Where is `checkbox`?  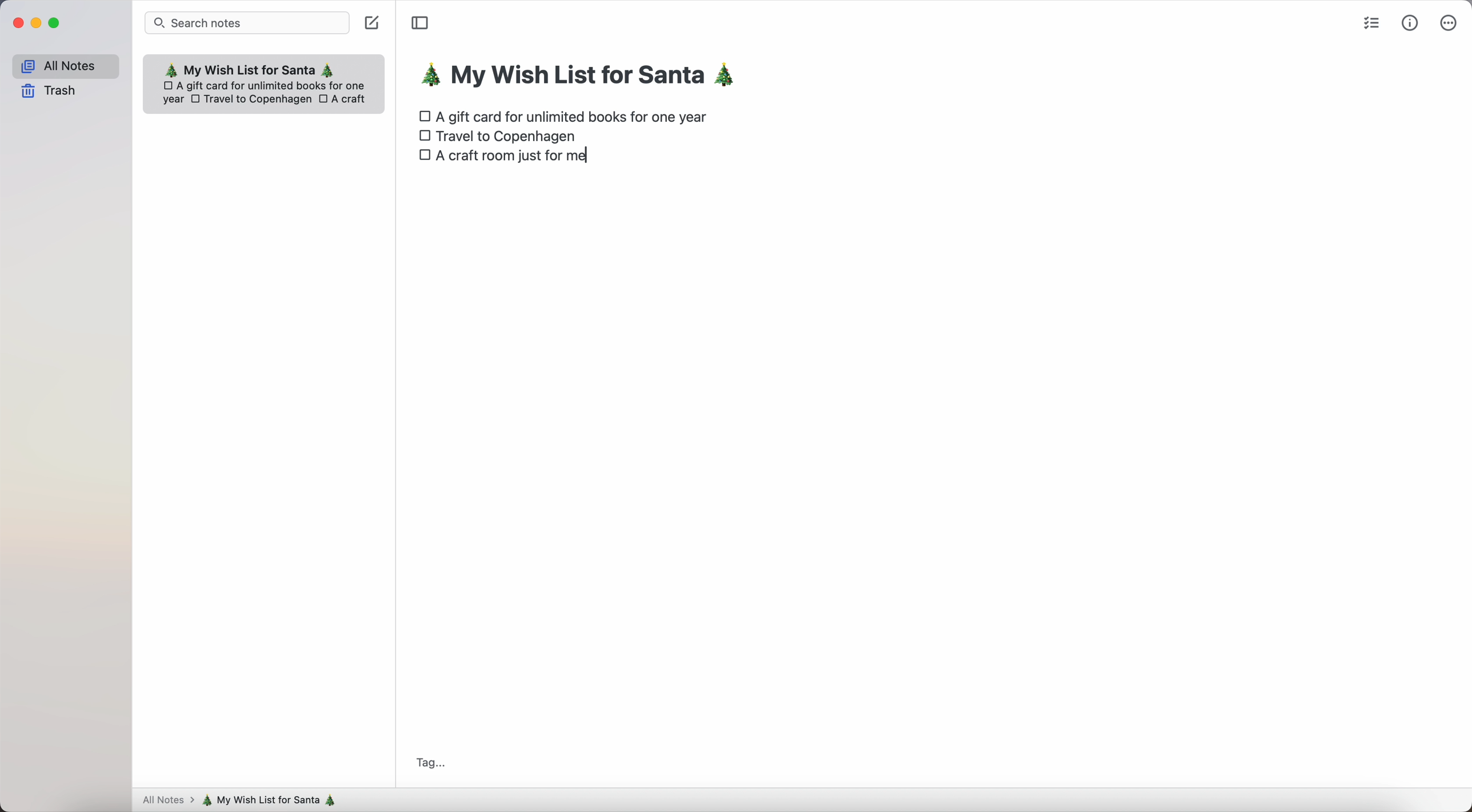 checkbox is located at coordinates (424, 159).